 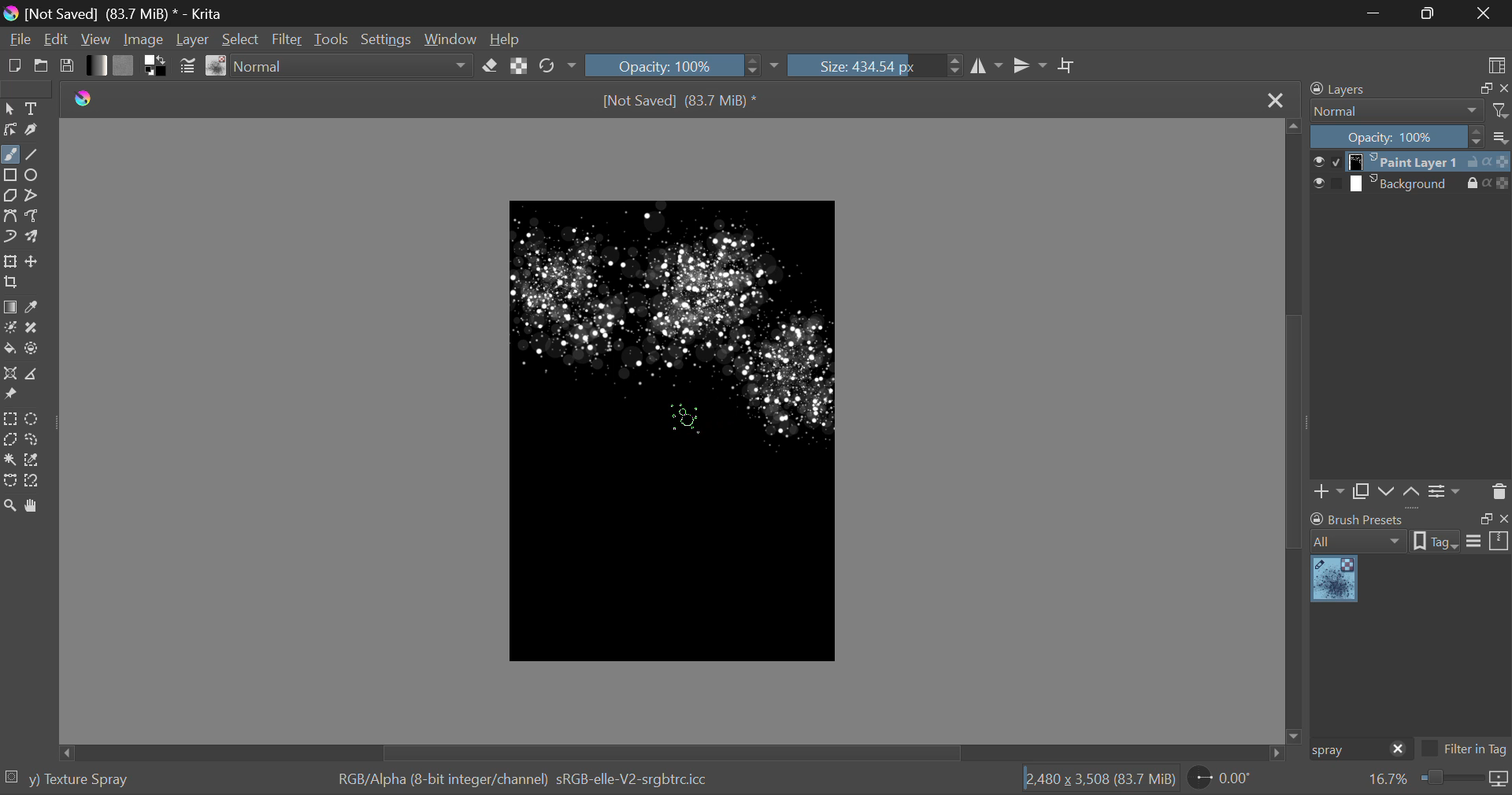 I want to click on Select, so click(x=241, y=39).